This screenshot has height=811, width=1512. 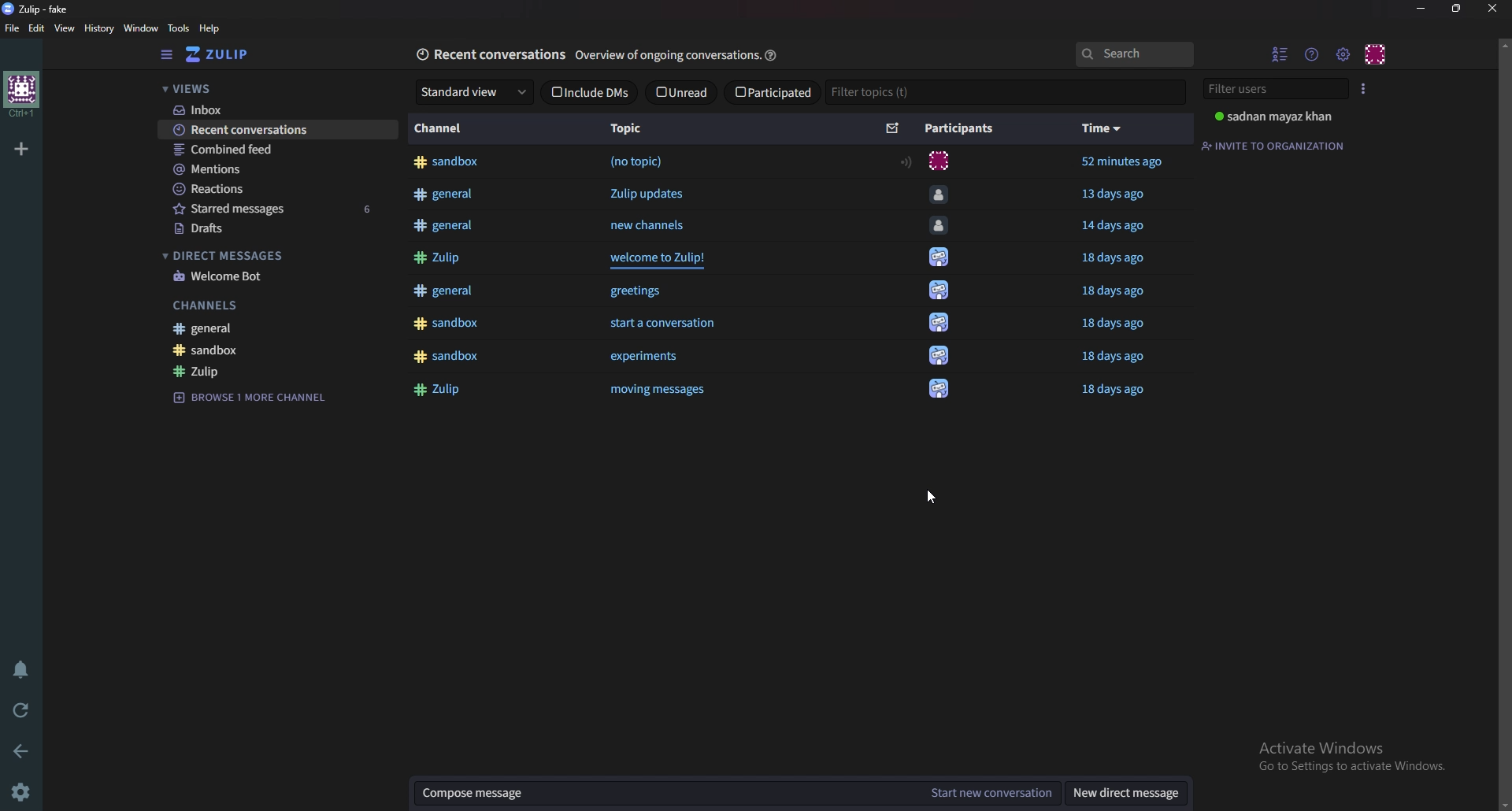 What do you see at coordinates (1270, 90) in the screenshot?
I see `Filter users` at bounding box center [1270, 90].